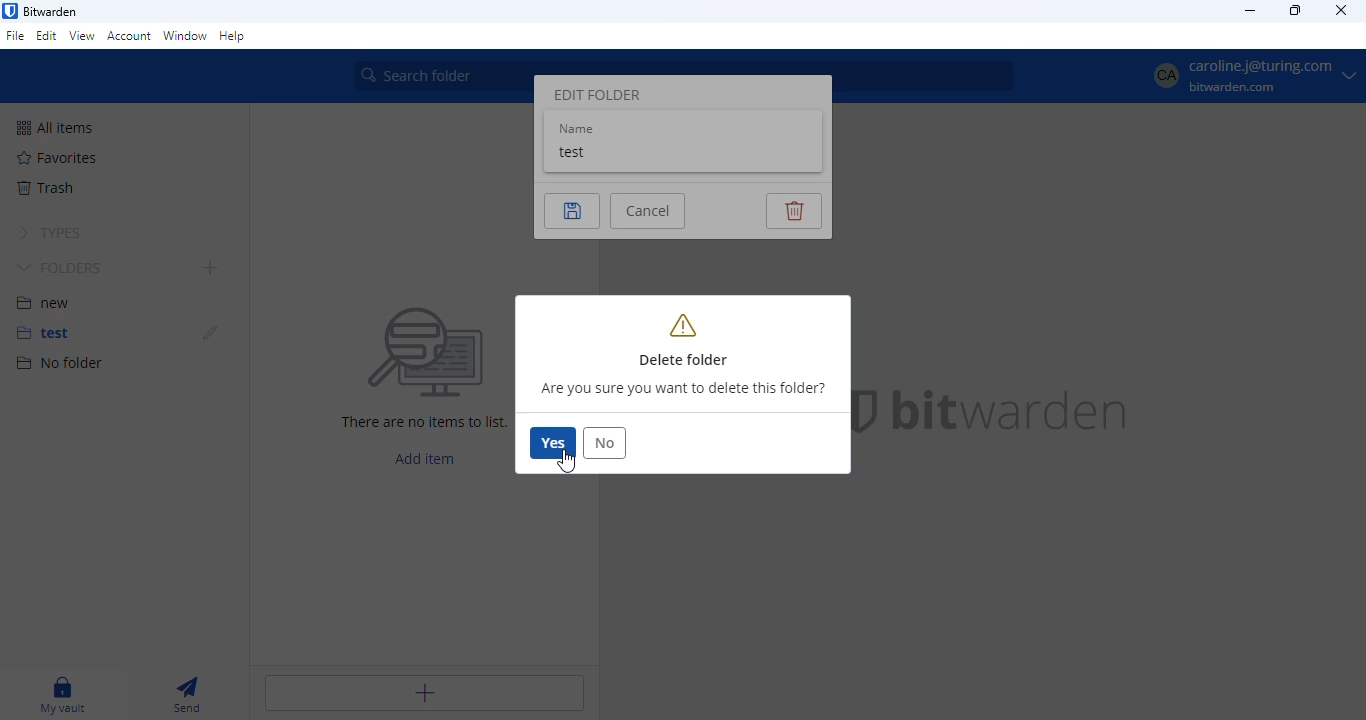 This screenshot has width=1366, height=720. Describe the element at coordinates (426, 353) in the screenshot. I see `Searching for file vector ` at that location.